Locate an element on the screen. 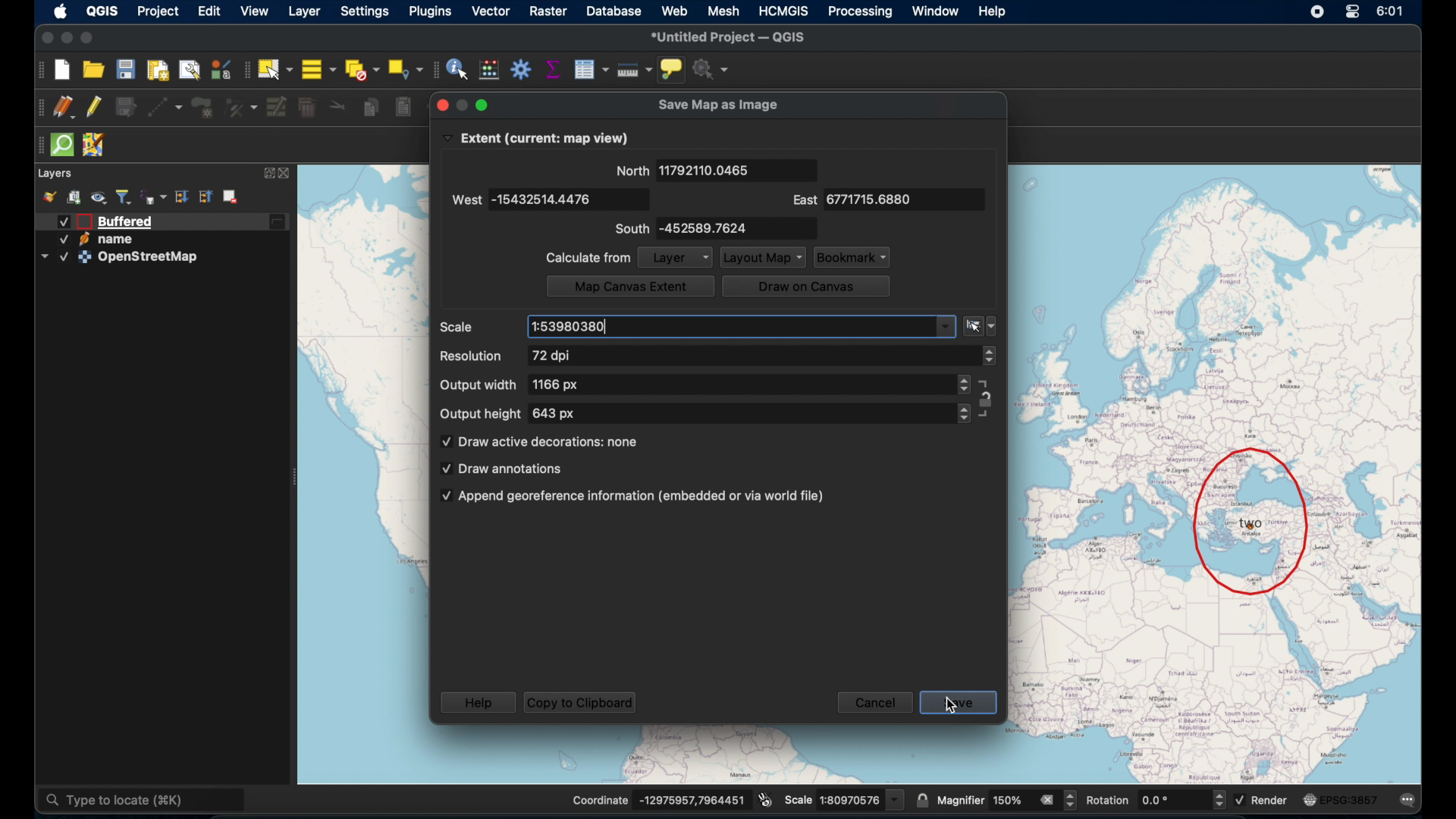 This screenshot has width=1456, height=819. minimize  is located at coordinates (67, 36).